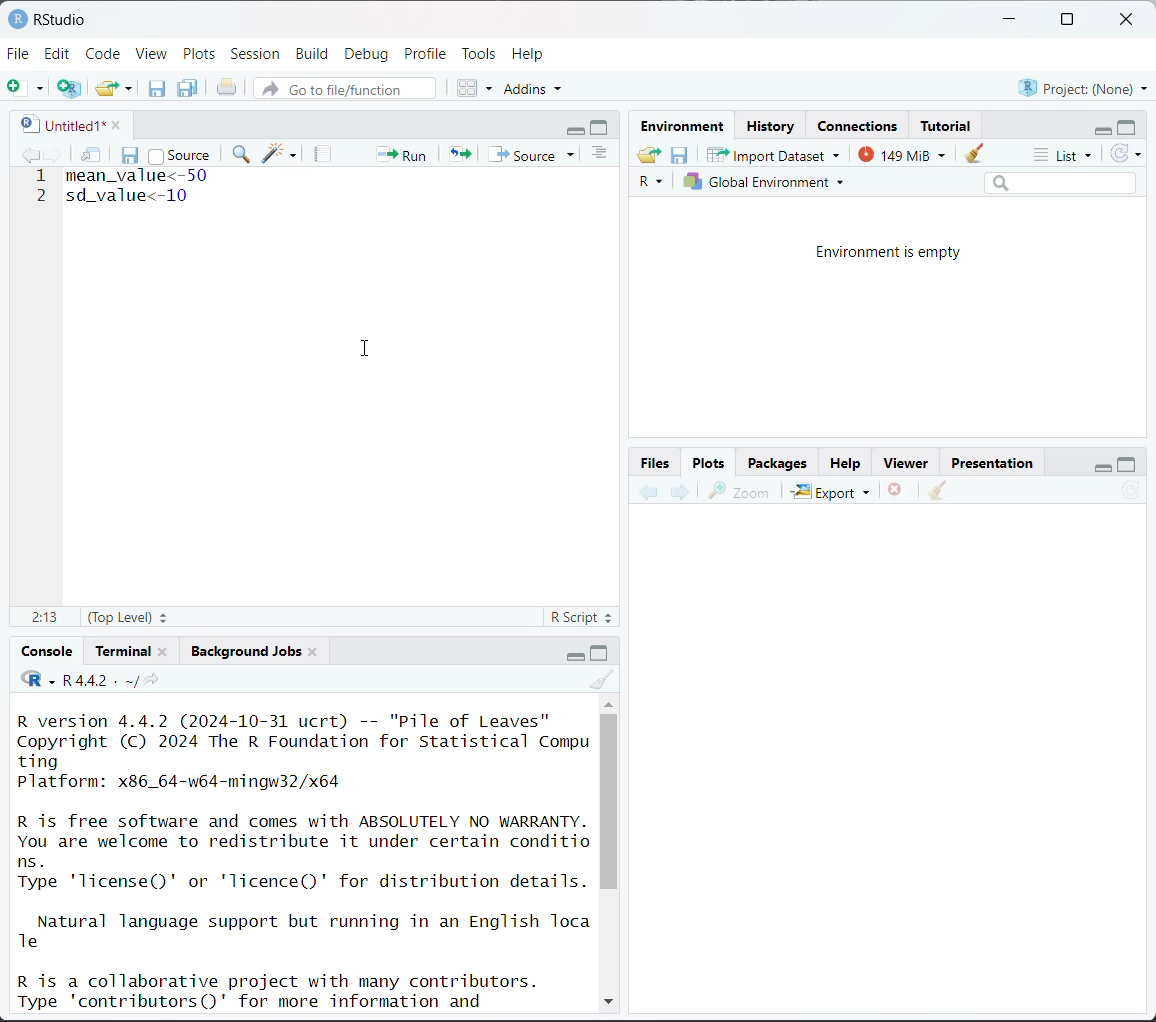 The width and height of the screenshot is (1156, 1022). What do you see at coordinates (131, 153) in the screenshot?
I see `save current document` at bounding box center [131, 153].